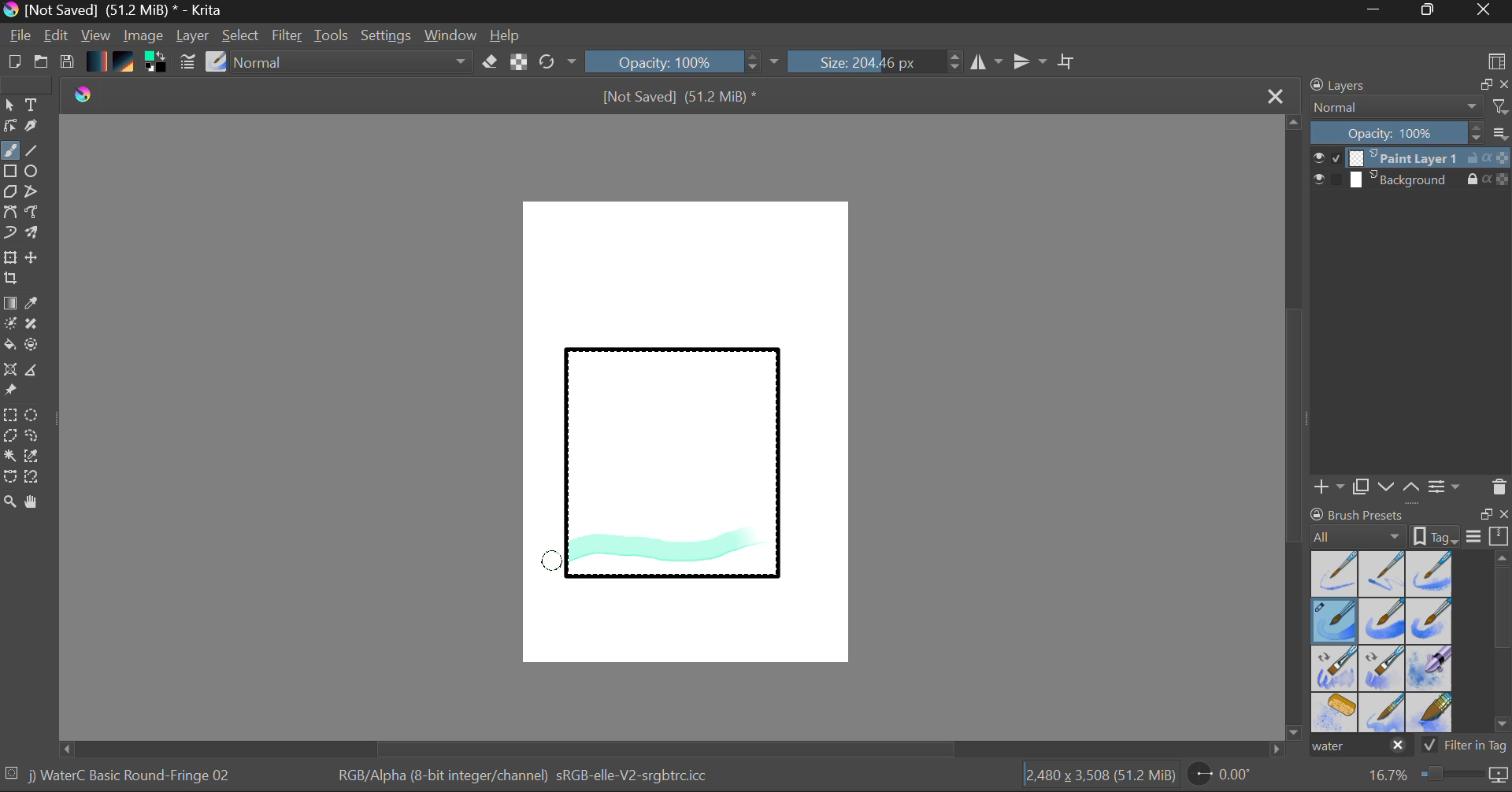 The width and height of the screenshot is (1512, 792). I want to click on Brush Selected, so click(1336, 622).